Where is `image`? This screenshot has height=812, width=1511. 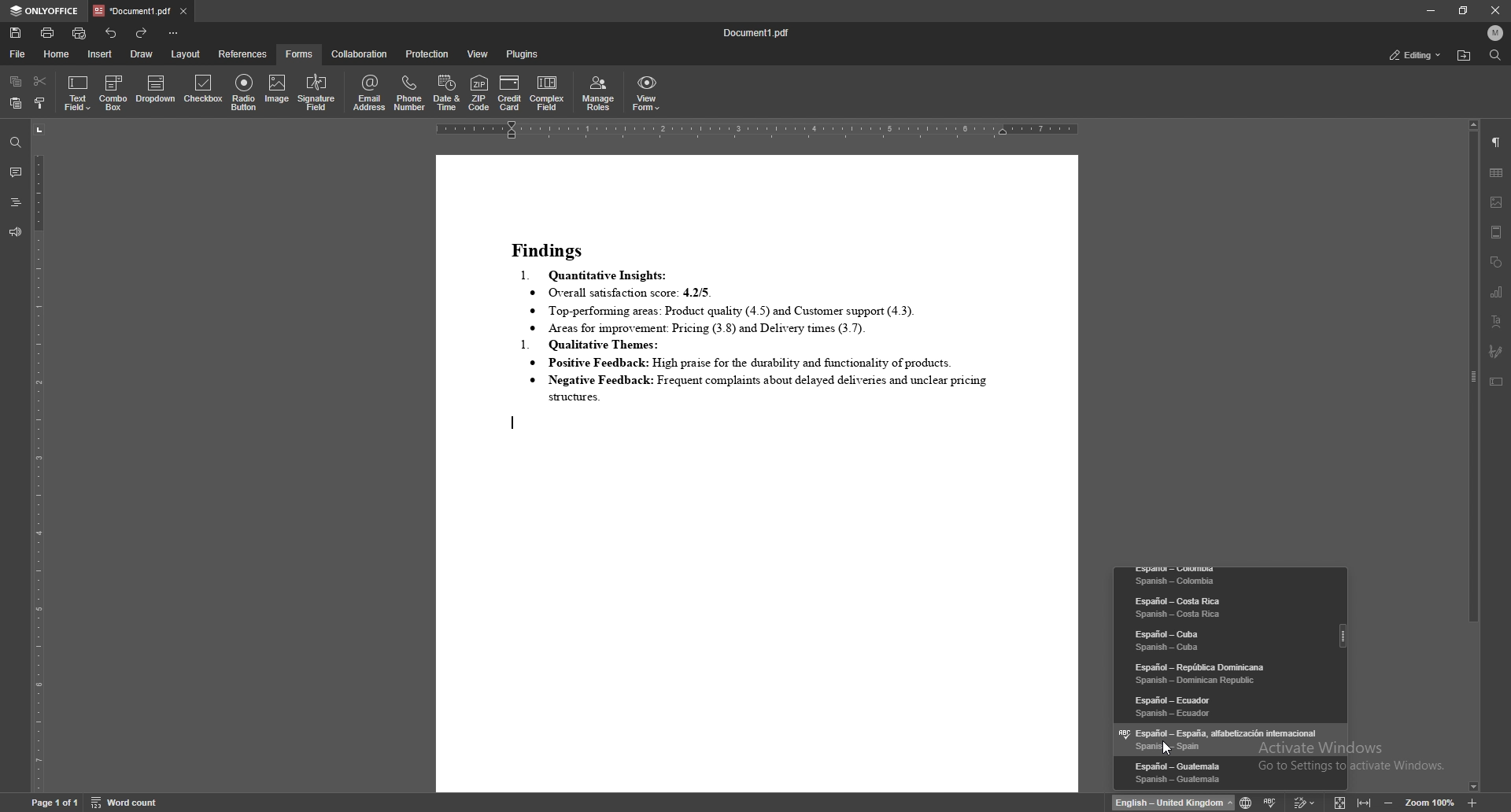
image is located at coordinates (1497, 202).